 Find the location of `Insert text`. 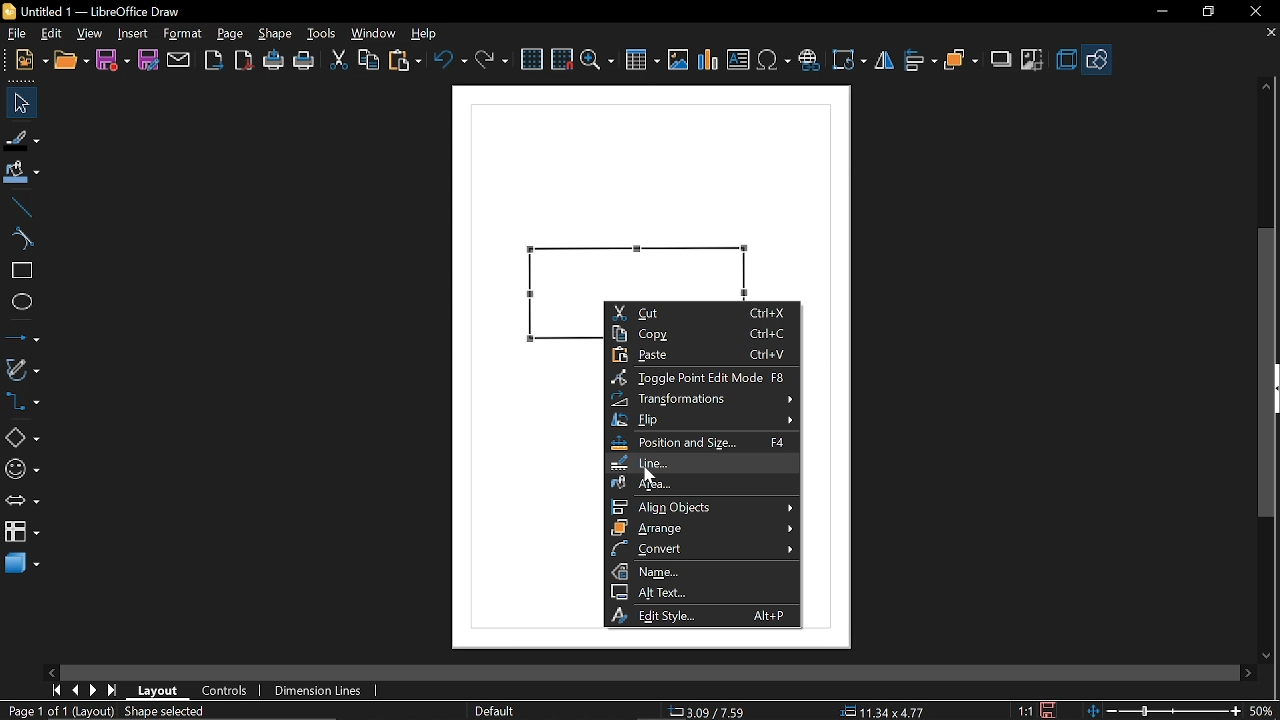

Insert text is located at coordinates (738, 57).